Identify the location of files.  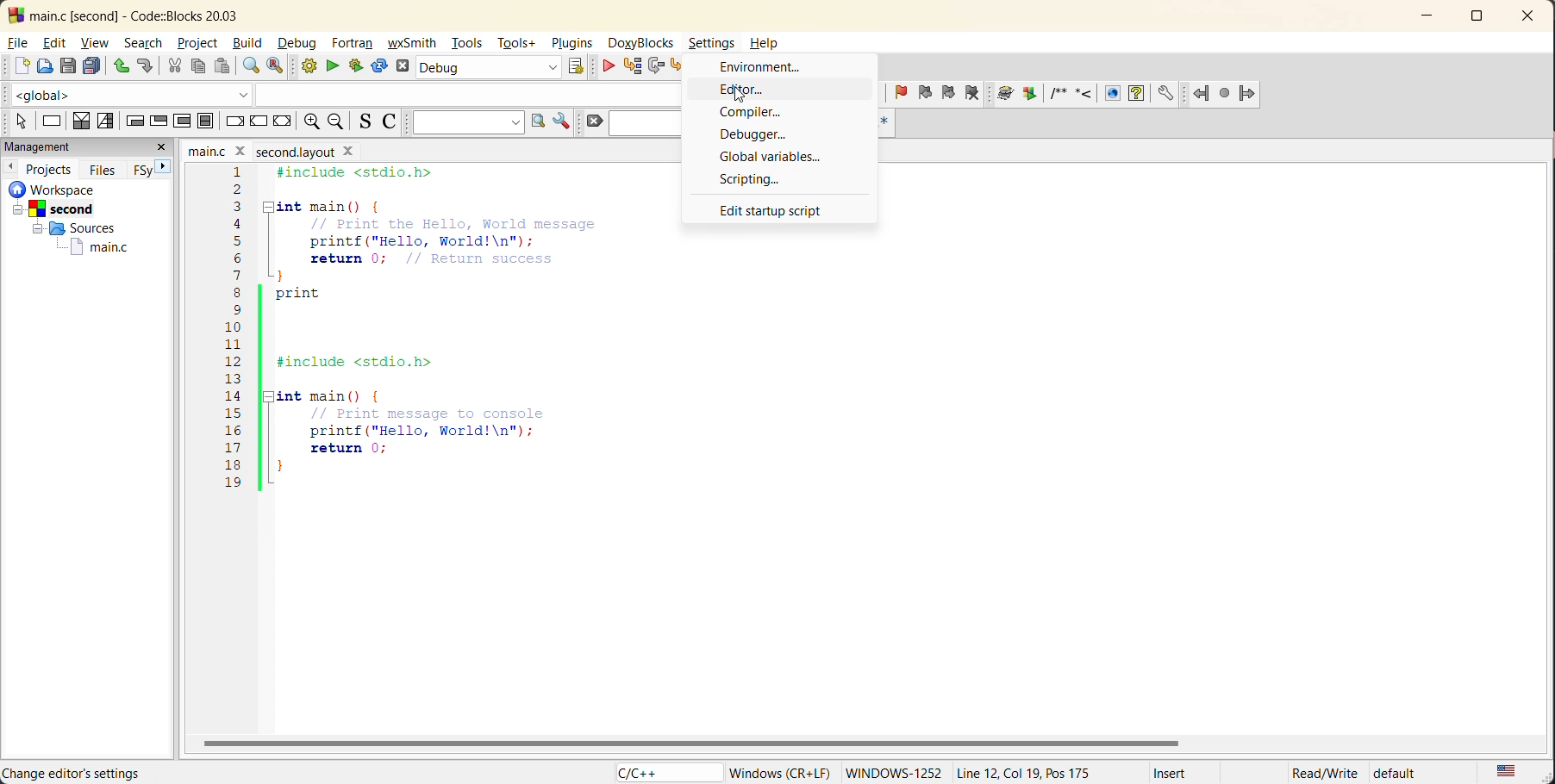
(100, 169).